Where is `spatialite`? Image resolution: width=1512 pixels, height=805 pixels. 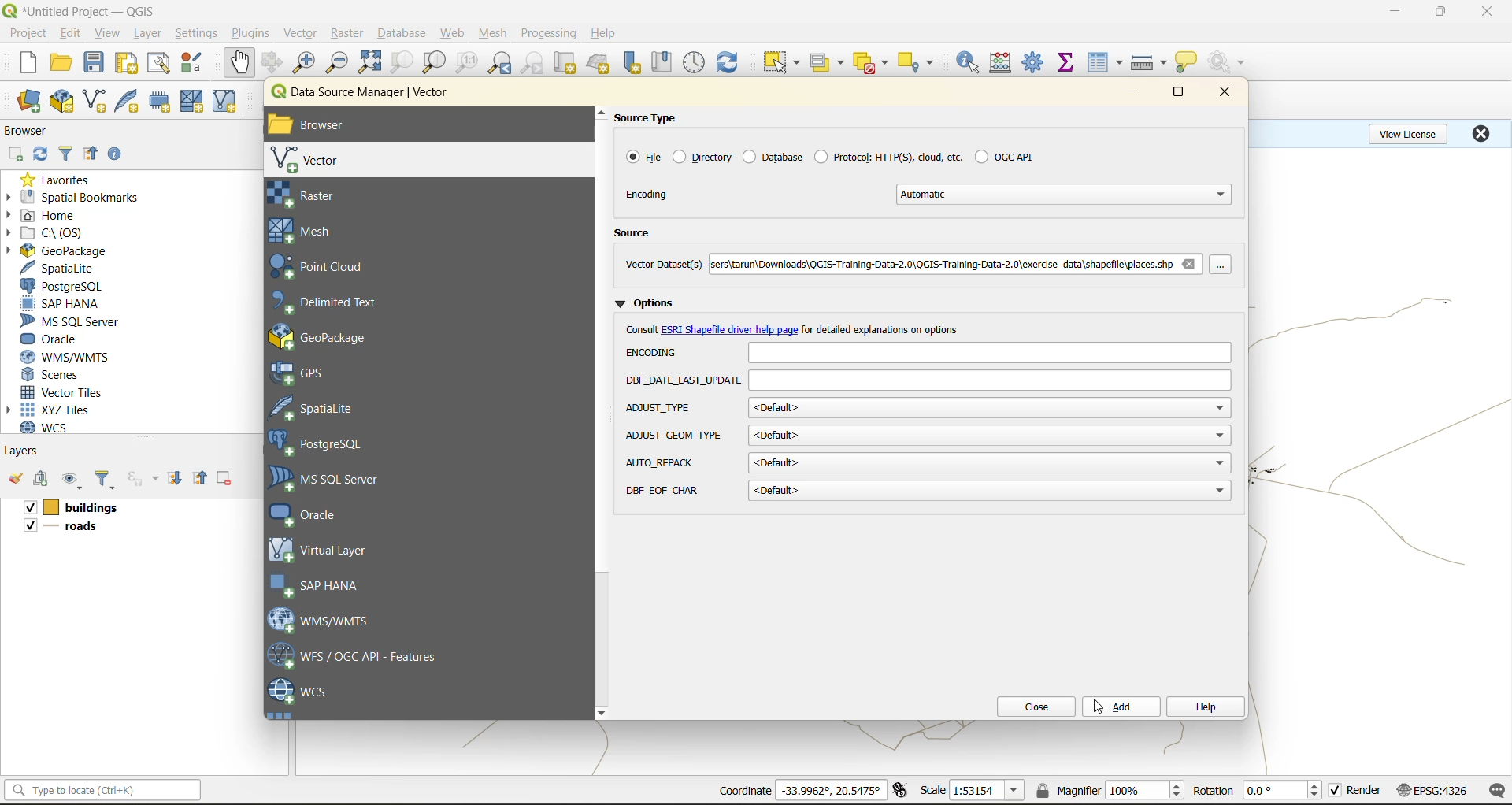
spatialite is located at coordinates (65, 269).